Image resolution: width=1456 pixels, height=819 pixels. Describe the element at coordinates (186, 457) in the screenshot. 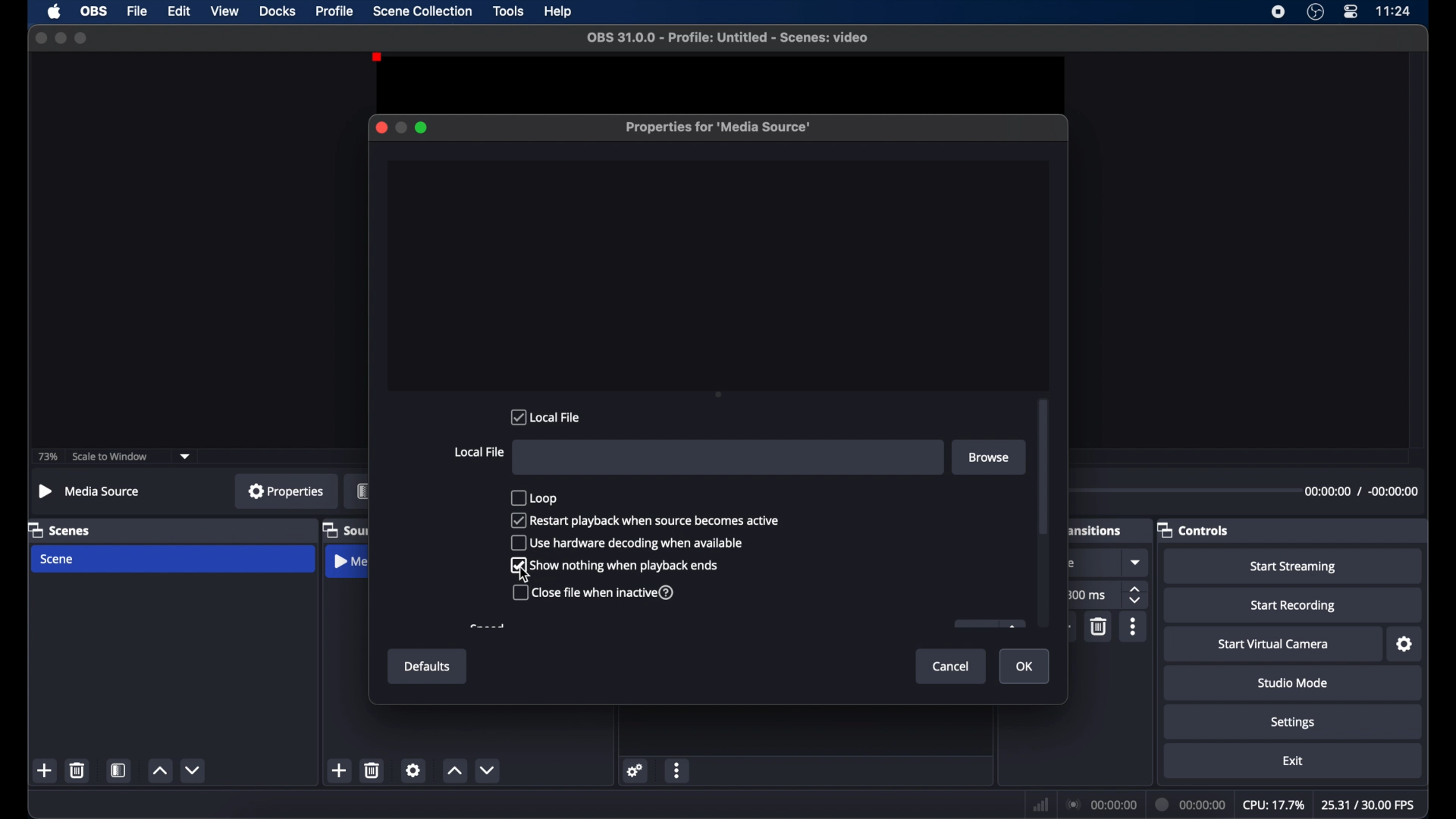

I see `dropdown` at that location.